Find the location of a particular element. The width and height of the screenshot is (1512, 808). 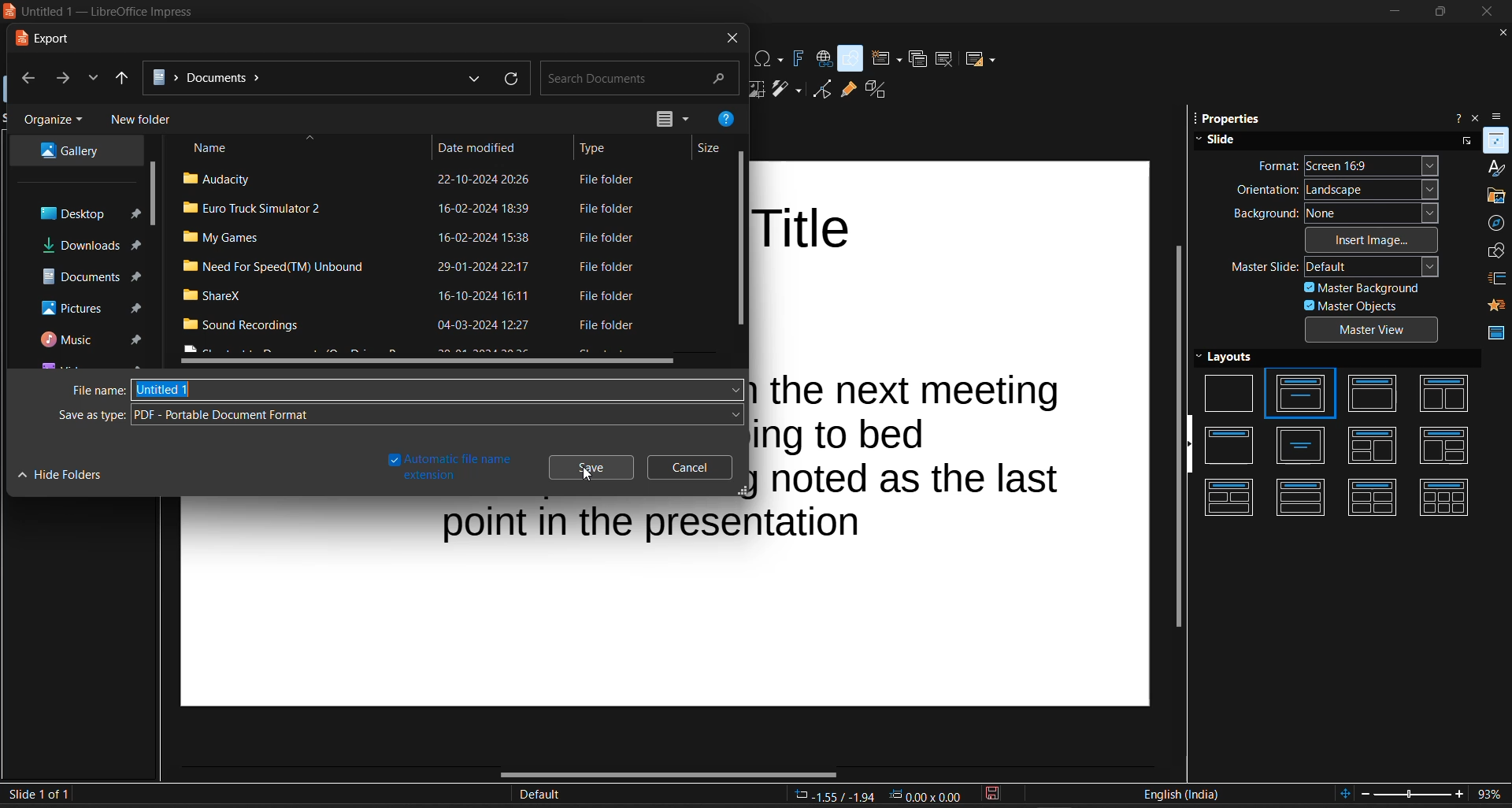

navigator is located at coordinates (1496, 223).